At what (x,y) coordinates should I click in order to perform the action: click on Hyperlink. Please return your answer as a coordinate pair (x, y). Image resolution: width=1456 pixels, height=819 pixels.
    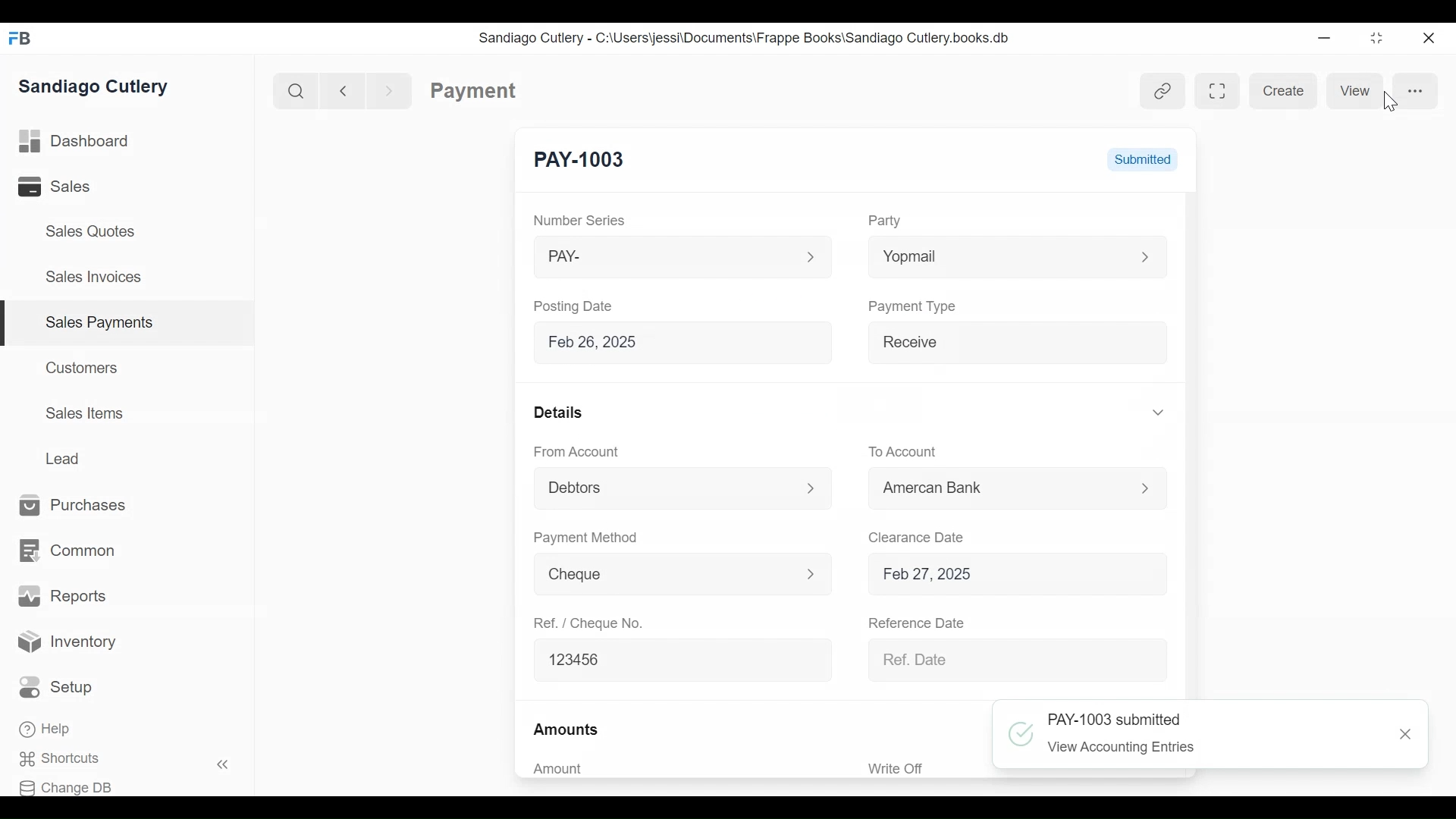
    Looking at the image, I should click on (1163, 92).